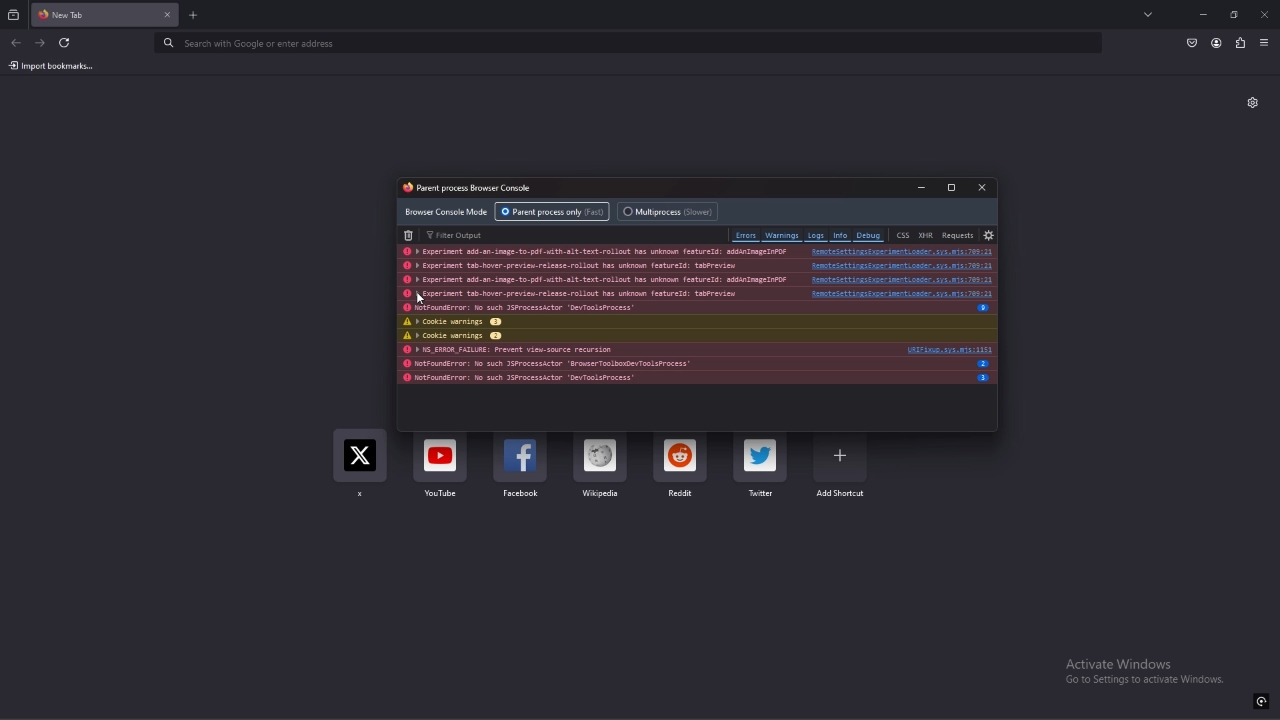 The width and height of the screenshot is (1280, 720). Describe the element at coordinates (746, 235) in the screenshot. I see `errors` at that location.